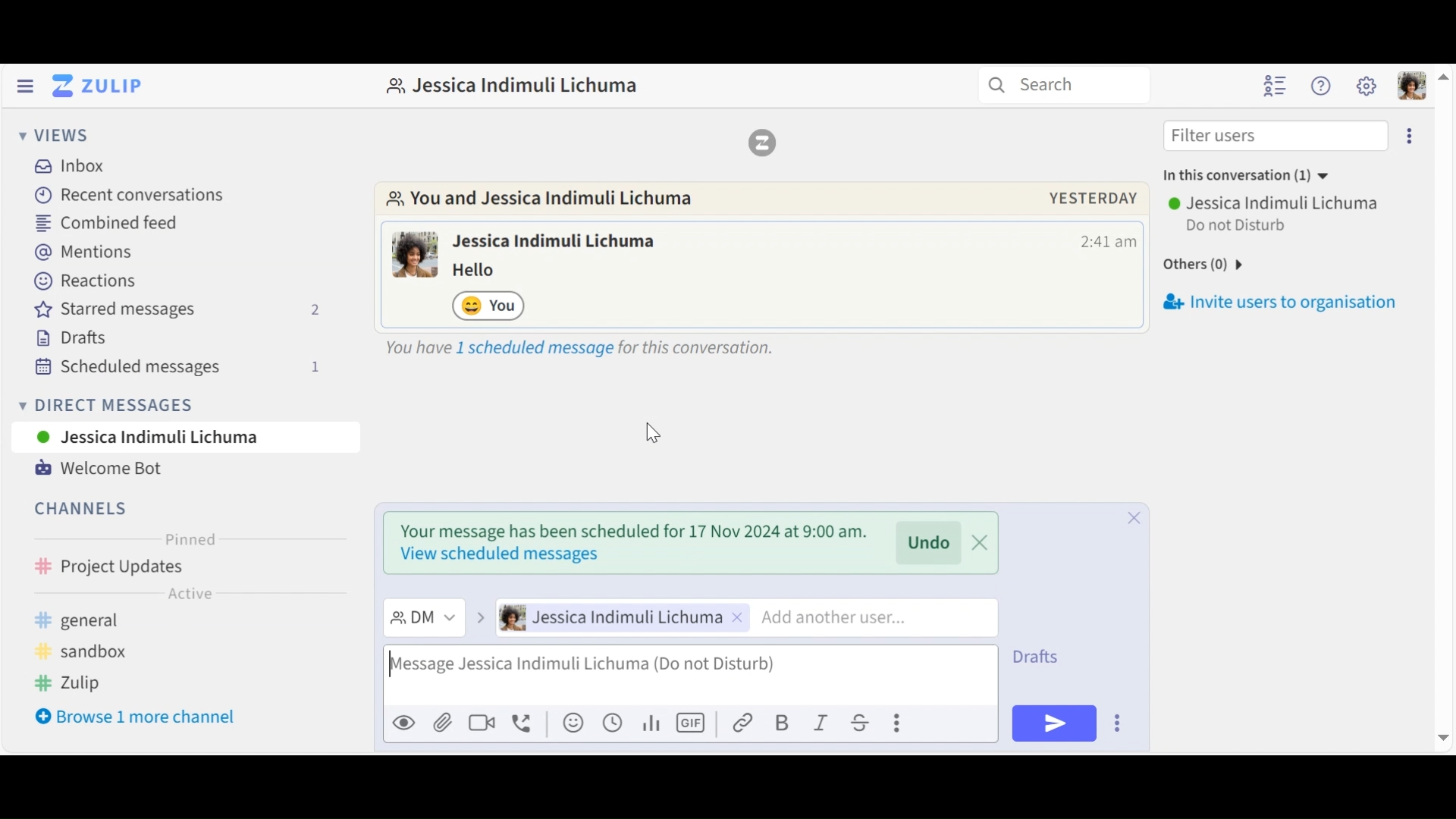  What do you see at coordinates (71, 165) in the screenshot?
I see `Inbox` at bounding box center [71, 165].